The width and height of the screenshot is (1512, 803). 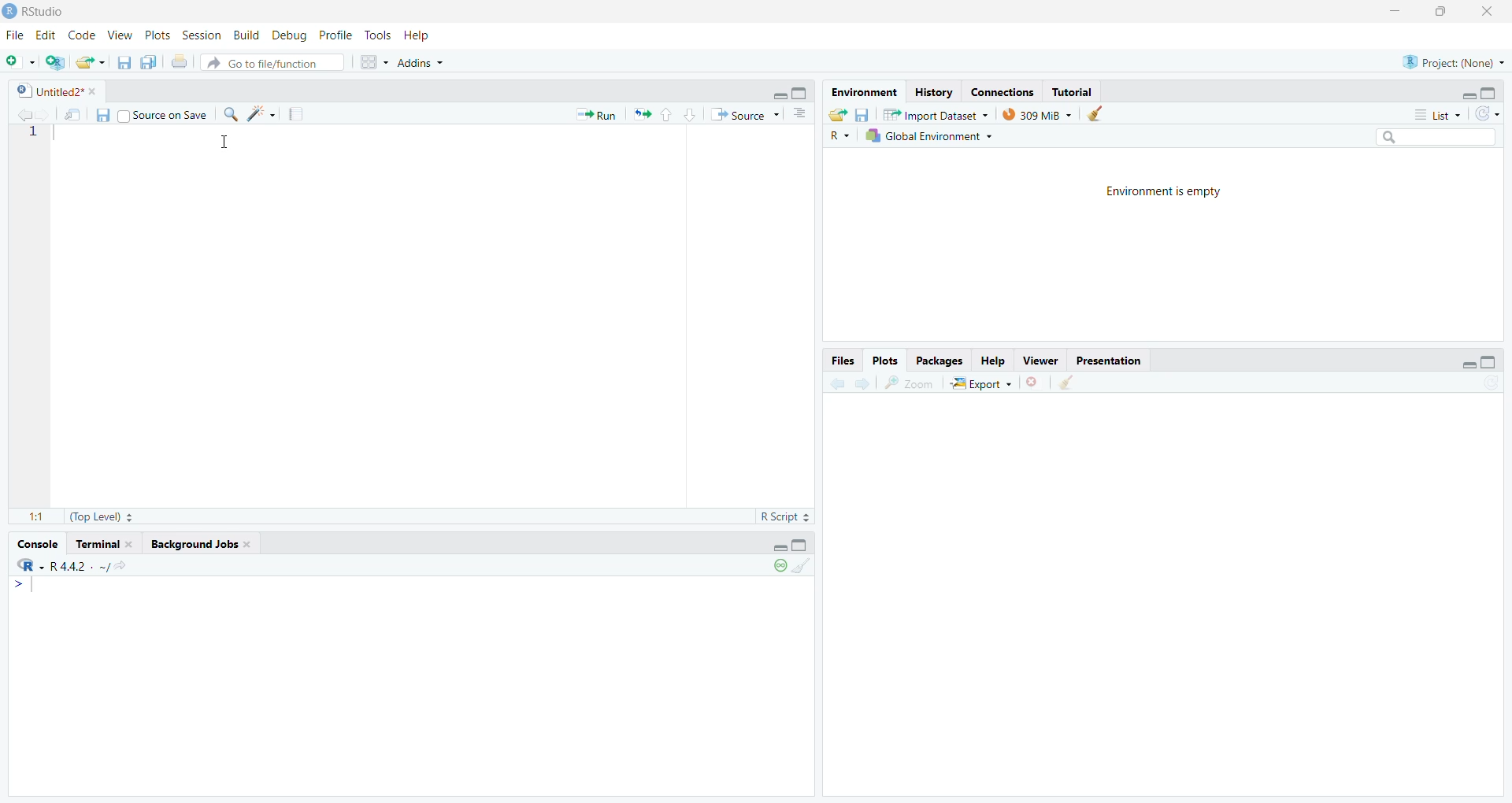 What do you see at coordinates (1463, 365) in the screenshot?
I see `minimise` at bounding box center [1463, 365].